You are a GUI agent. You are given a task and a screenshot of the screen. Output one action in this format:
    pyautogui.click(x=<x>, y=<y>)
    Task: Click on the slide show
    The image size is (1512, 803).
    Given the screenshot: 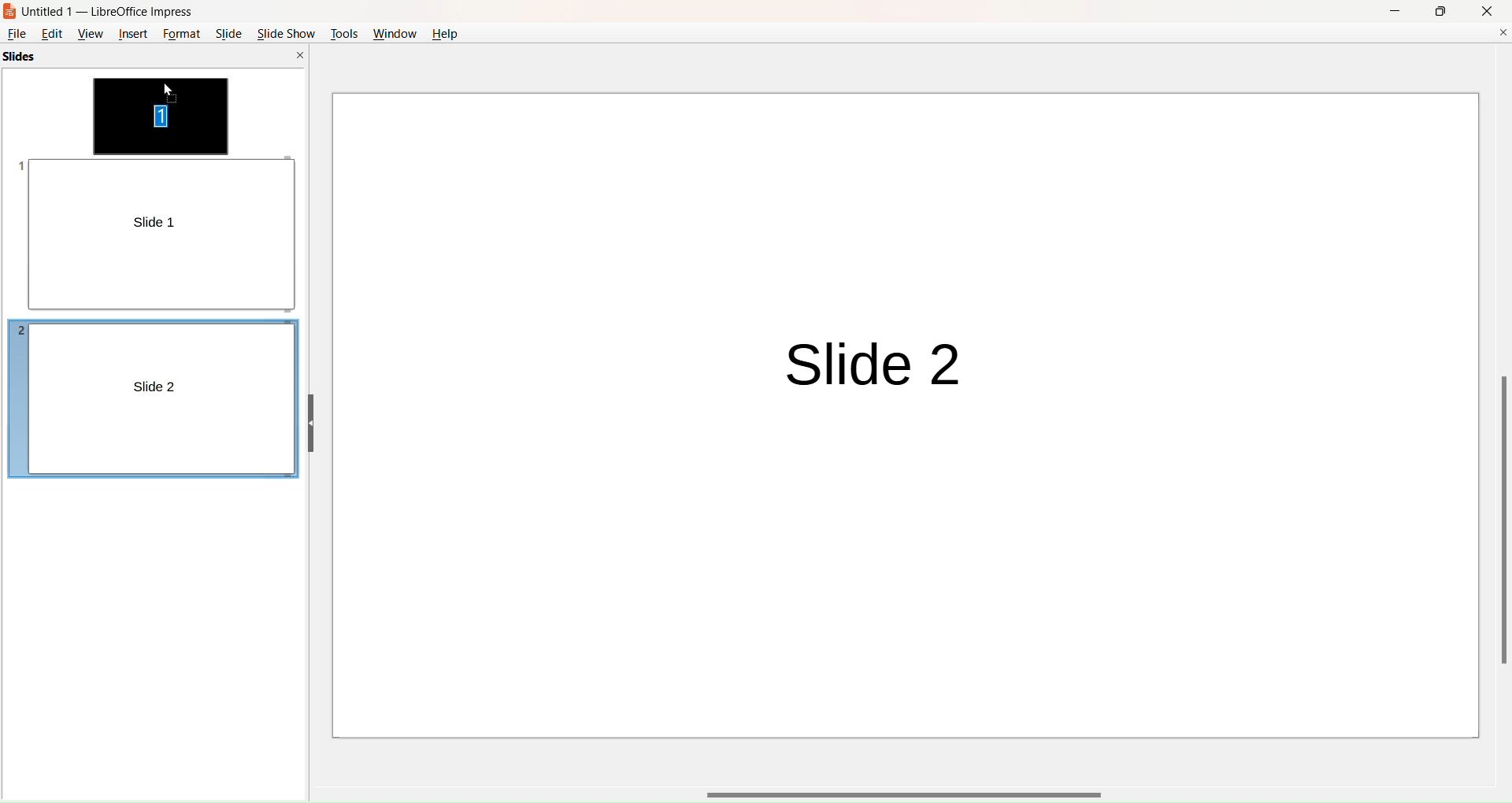 What is the action you would take?
    pyautogui.click(x=287, y=33)
    